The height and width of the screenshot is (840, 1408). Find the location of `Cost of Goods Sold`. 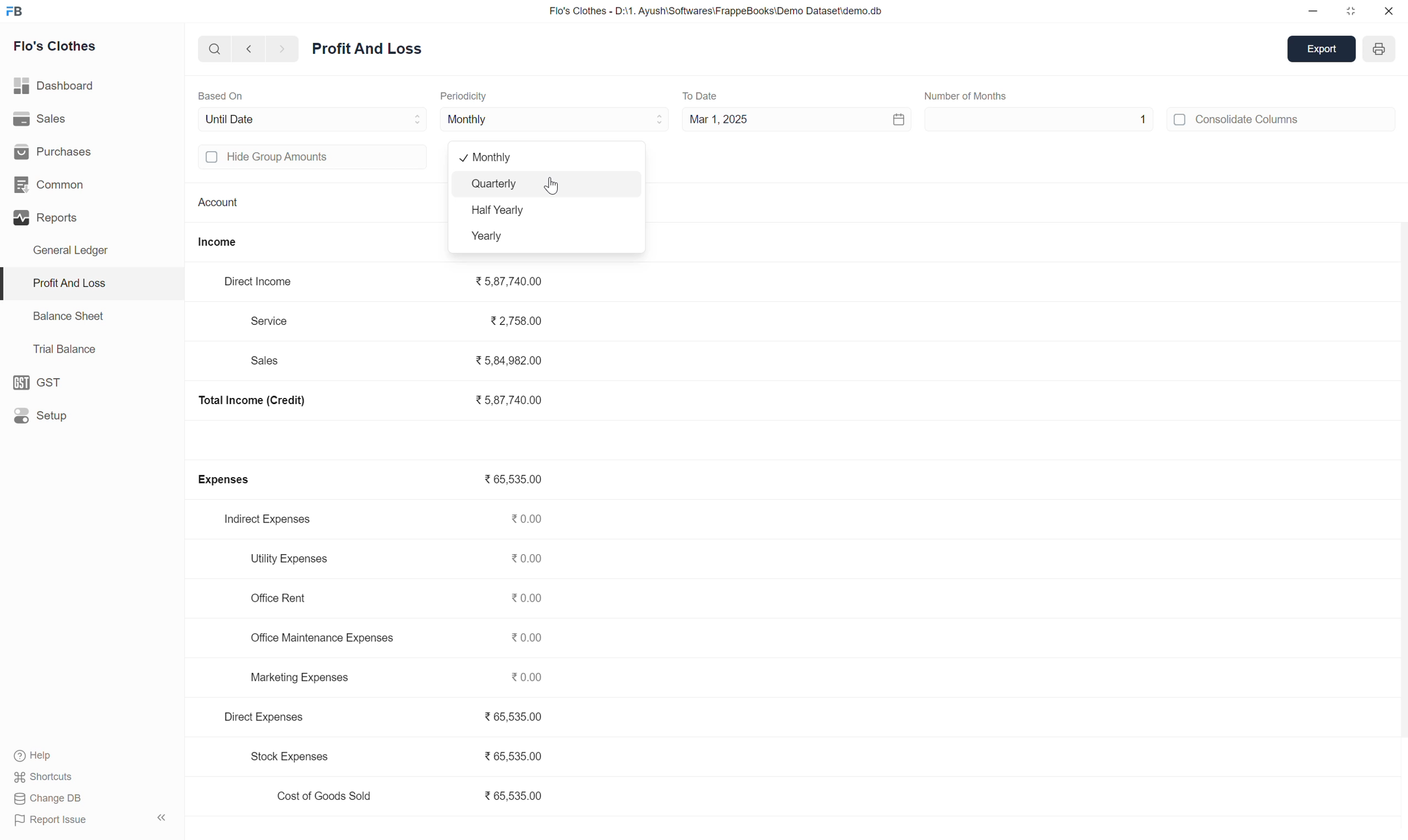

Cost of Goods Sold is located at coordinates (319, 796).